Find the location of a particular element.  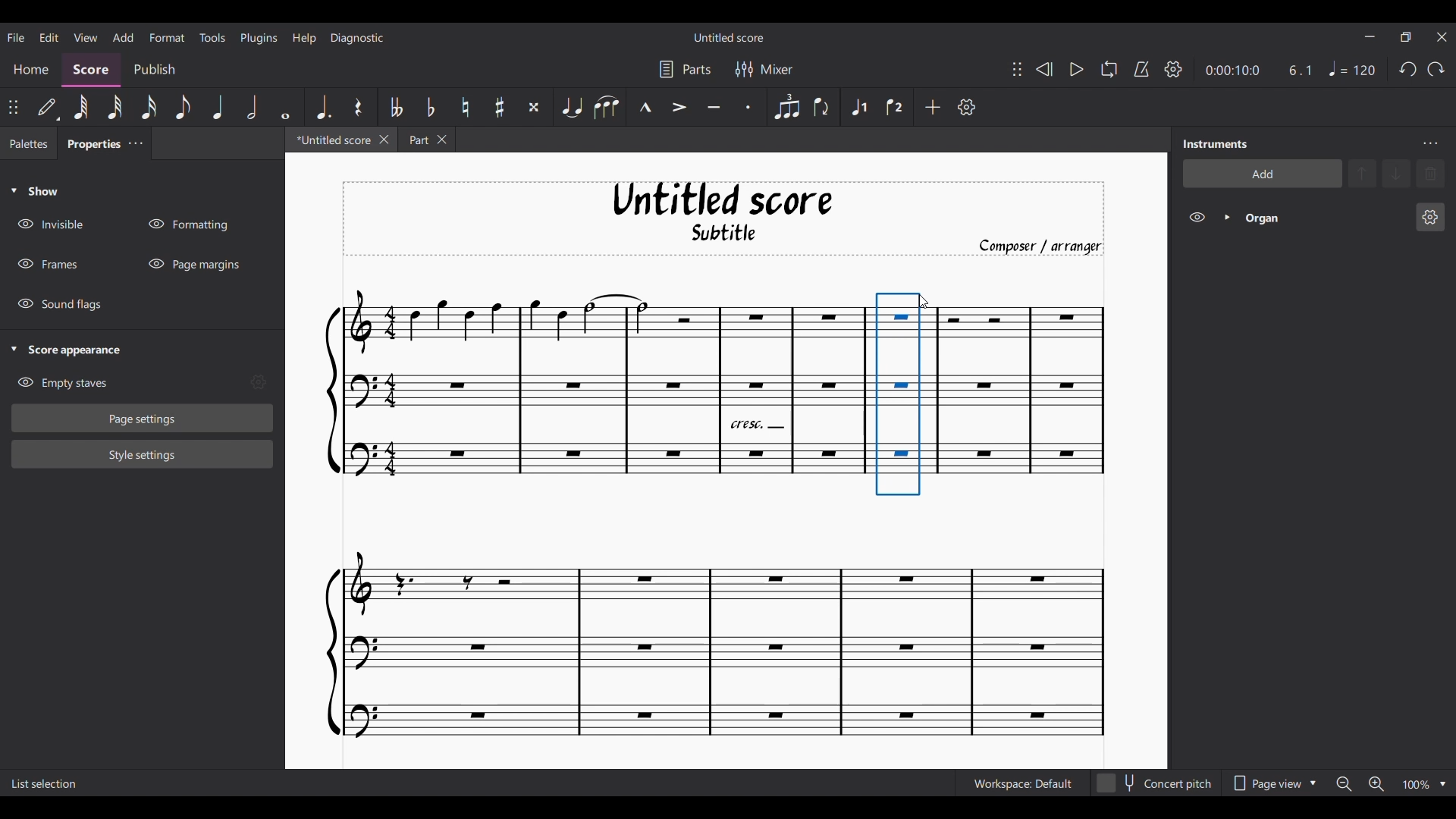

Hide Formatting  is located at coordinates (187, 224).